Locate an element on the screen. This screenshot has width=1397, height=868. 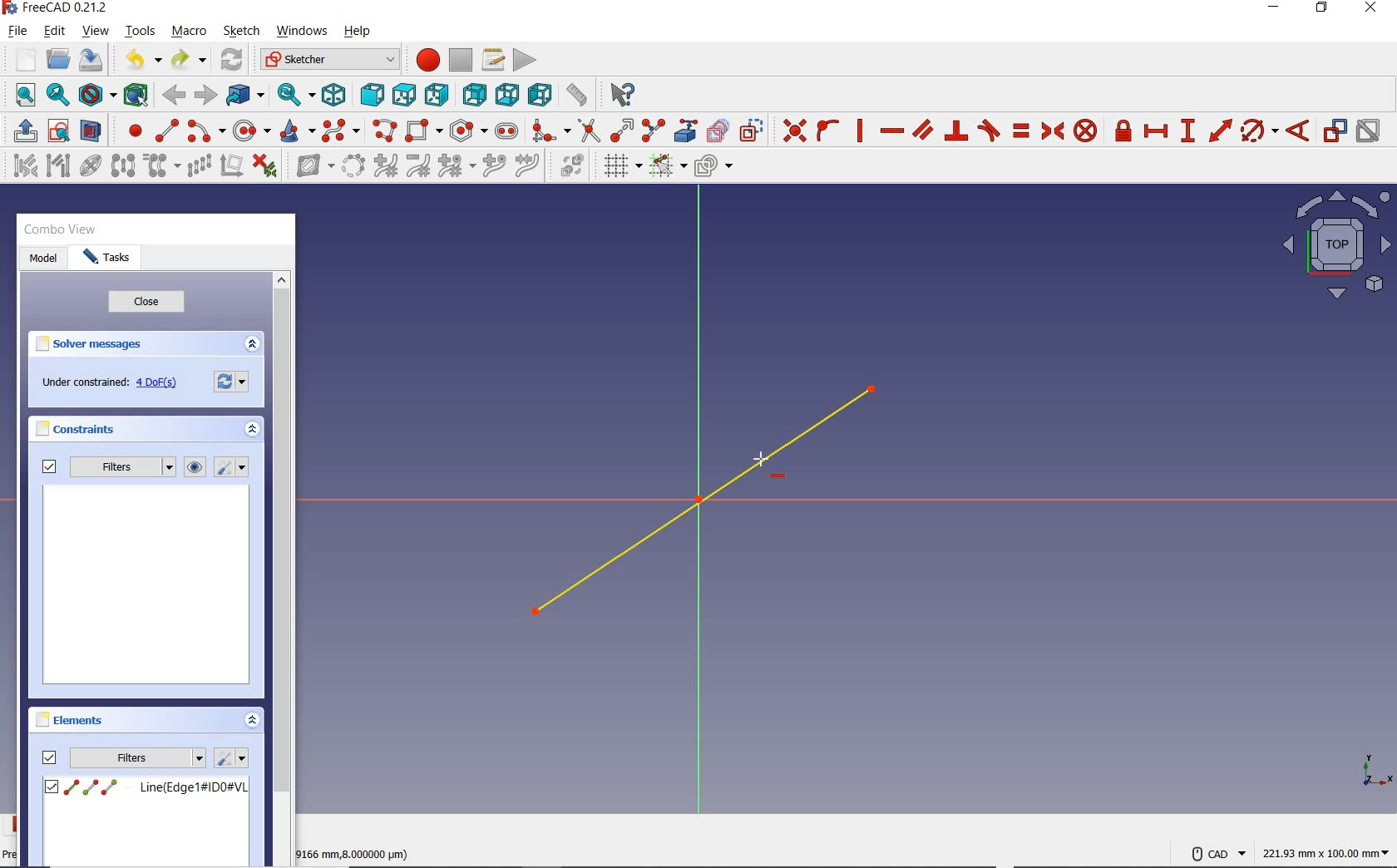
CREATE LINE is located at coordinates (166, 131).